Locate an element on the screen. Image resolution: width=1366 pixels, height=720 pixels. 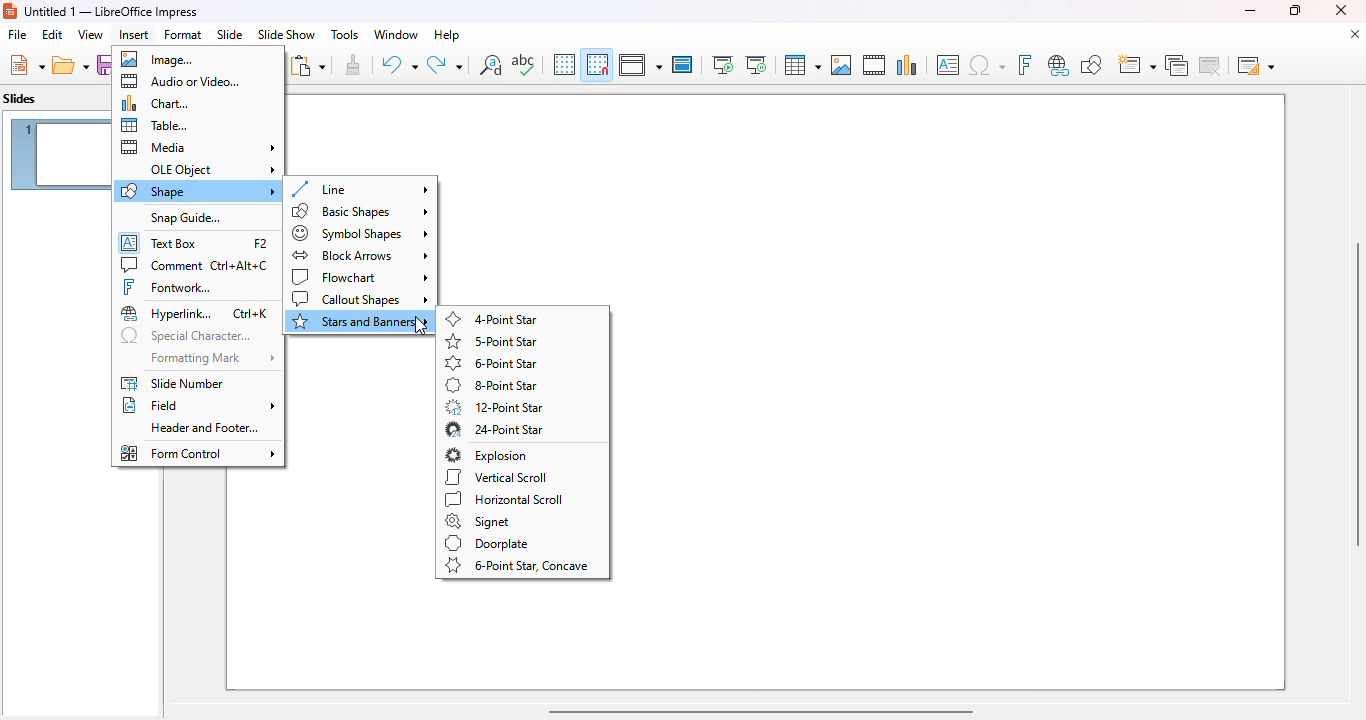
help is located at coordinates (447, 34).